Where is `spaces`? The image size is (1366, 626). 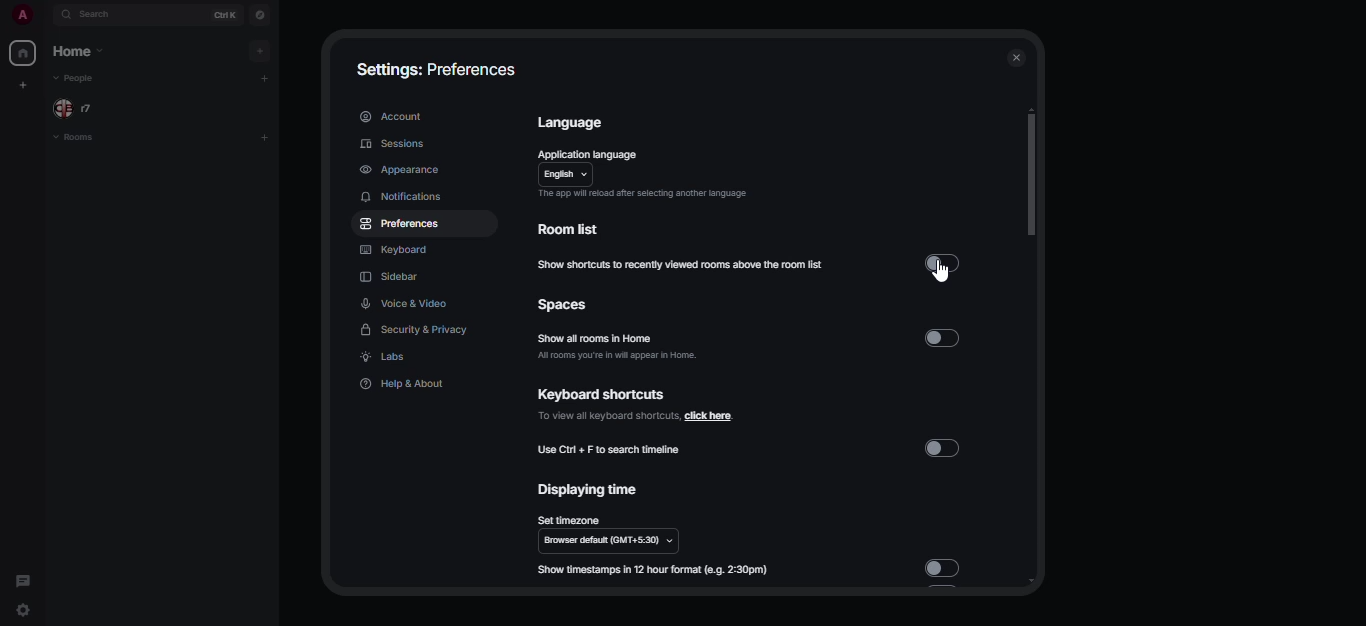 spaces is located at coordinates (562, 305).